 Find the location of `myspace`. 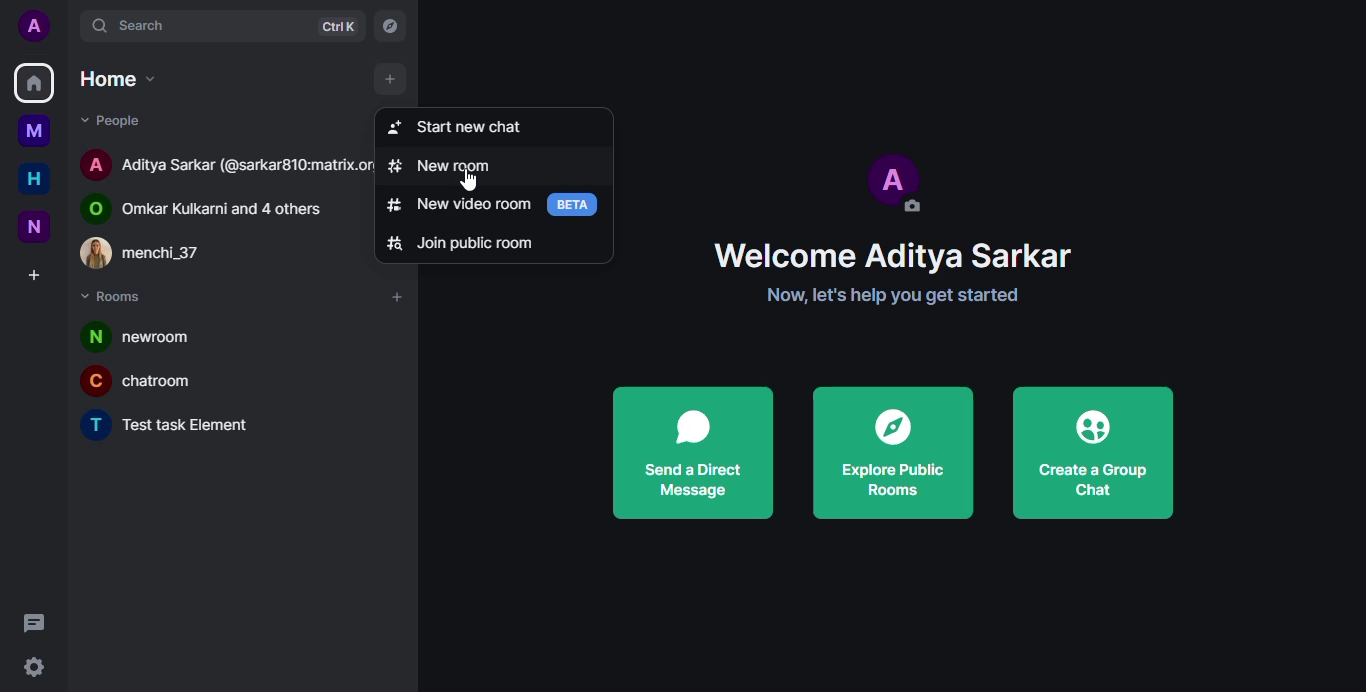

myspace is located at coordinates (35, 131).